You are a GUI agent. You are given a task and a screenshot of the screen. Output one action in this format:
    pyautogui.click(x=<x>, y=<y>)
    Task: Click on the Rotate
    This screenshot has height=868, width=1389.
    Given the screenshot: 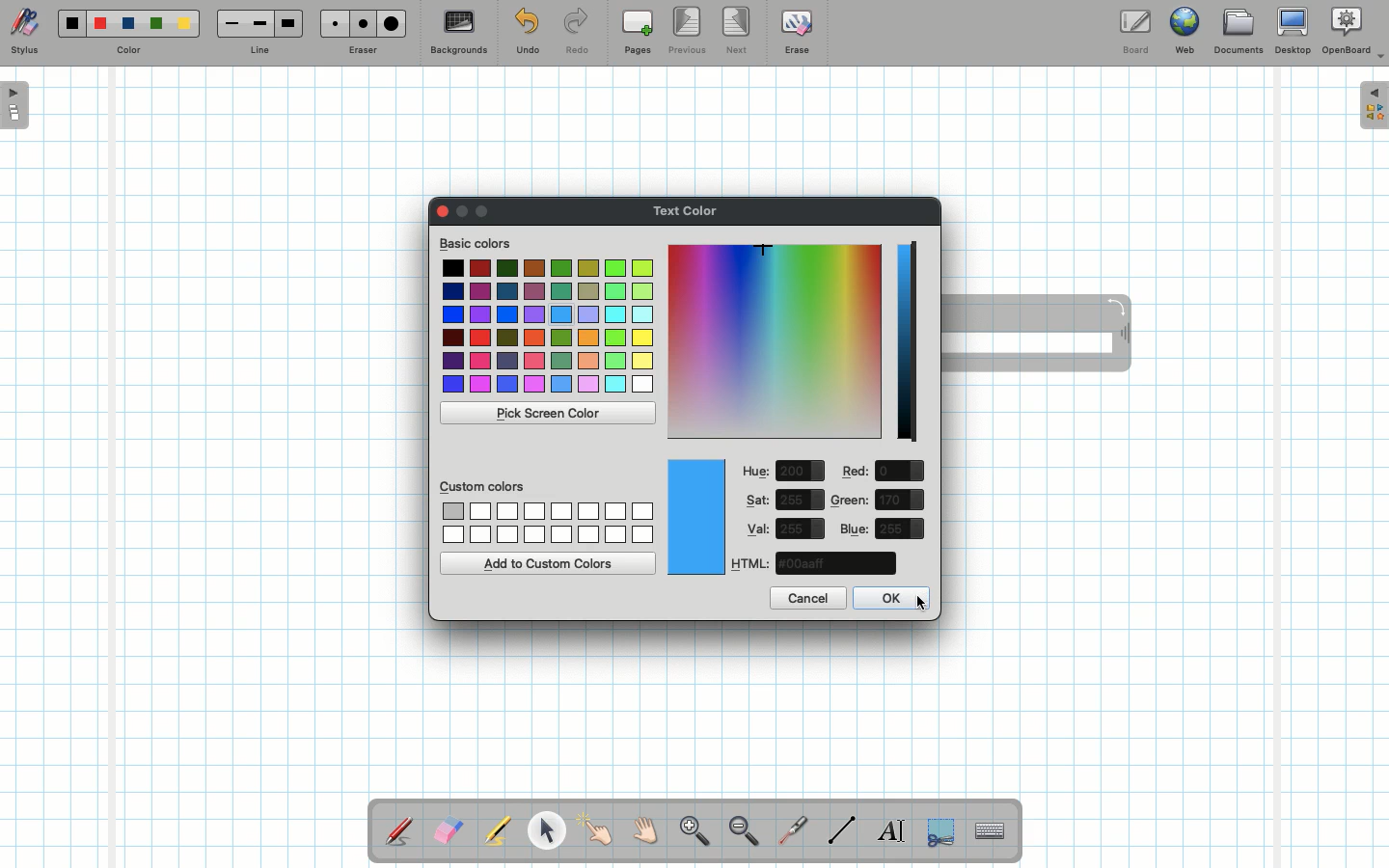 What is the action you would take?
    pyautogui.click(x=1116, y=306)
    